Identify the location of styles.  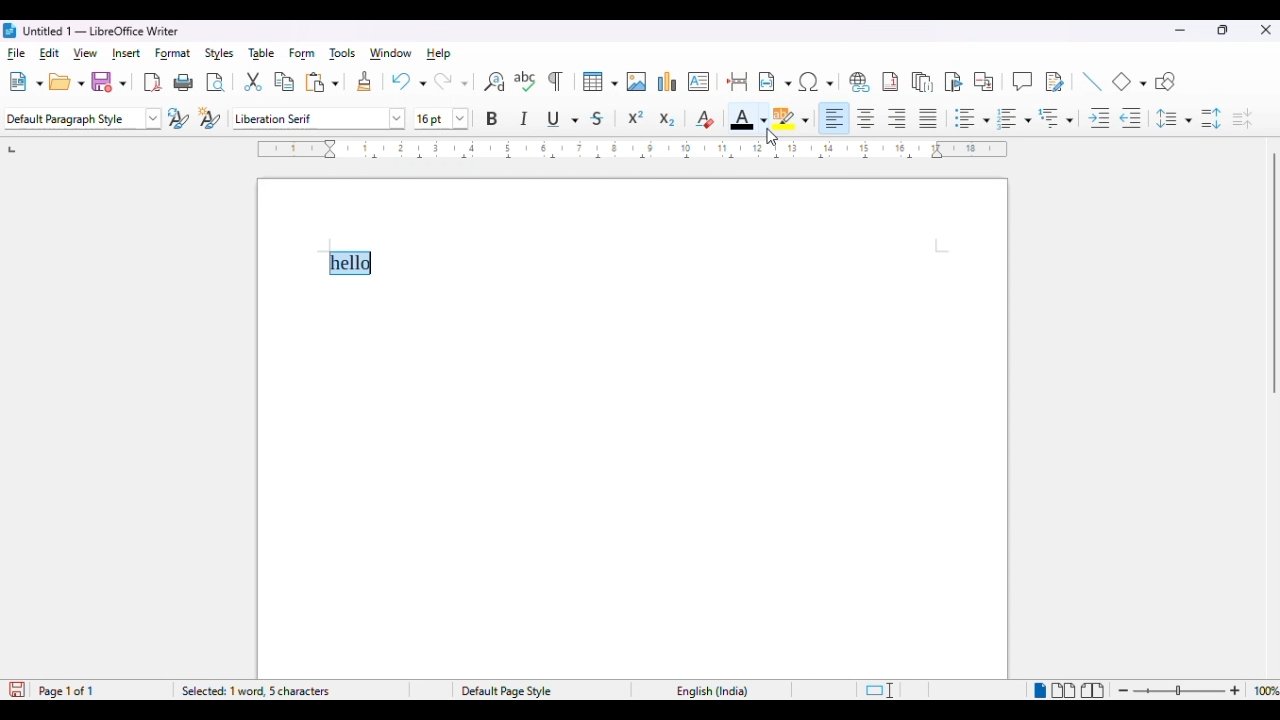
(220, 54).